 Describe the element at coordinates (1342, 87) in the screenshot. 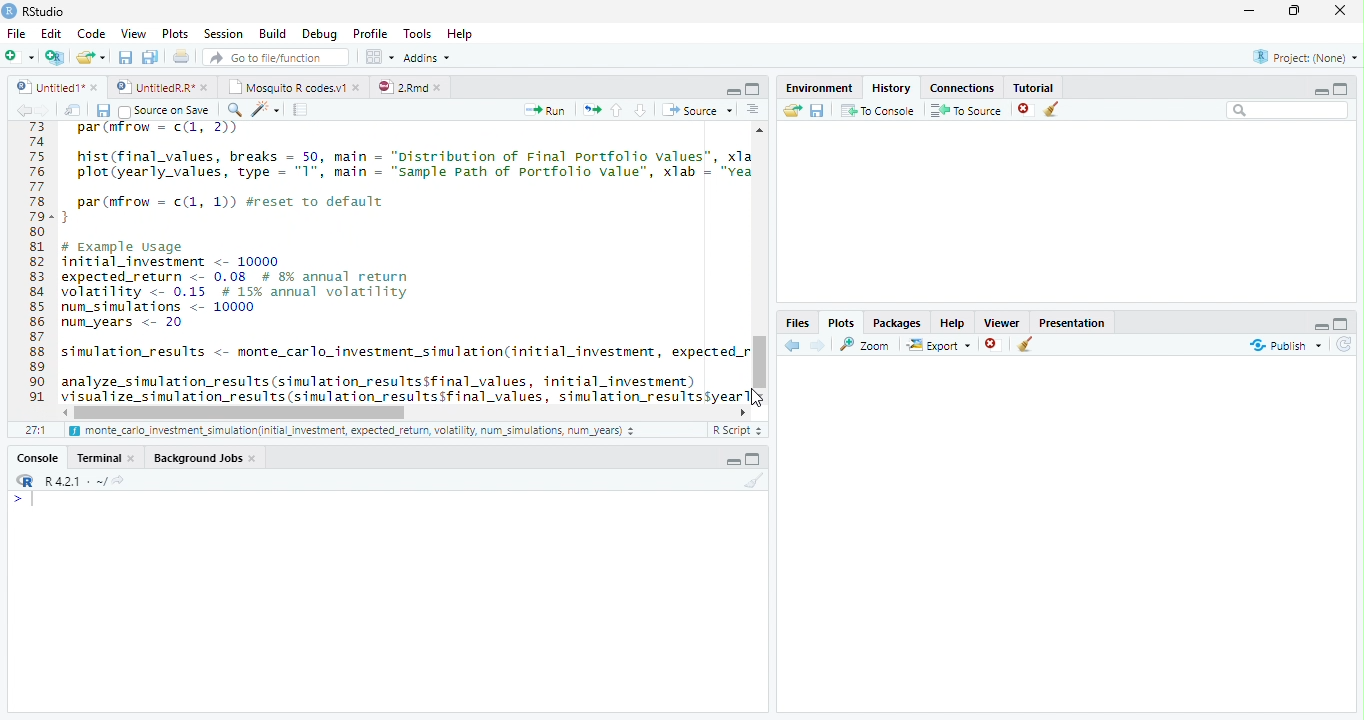

I see `Full Height` at that location.